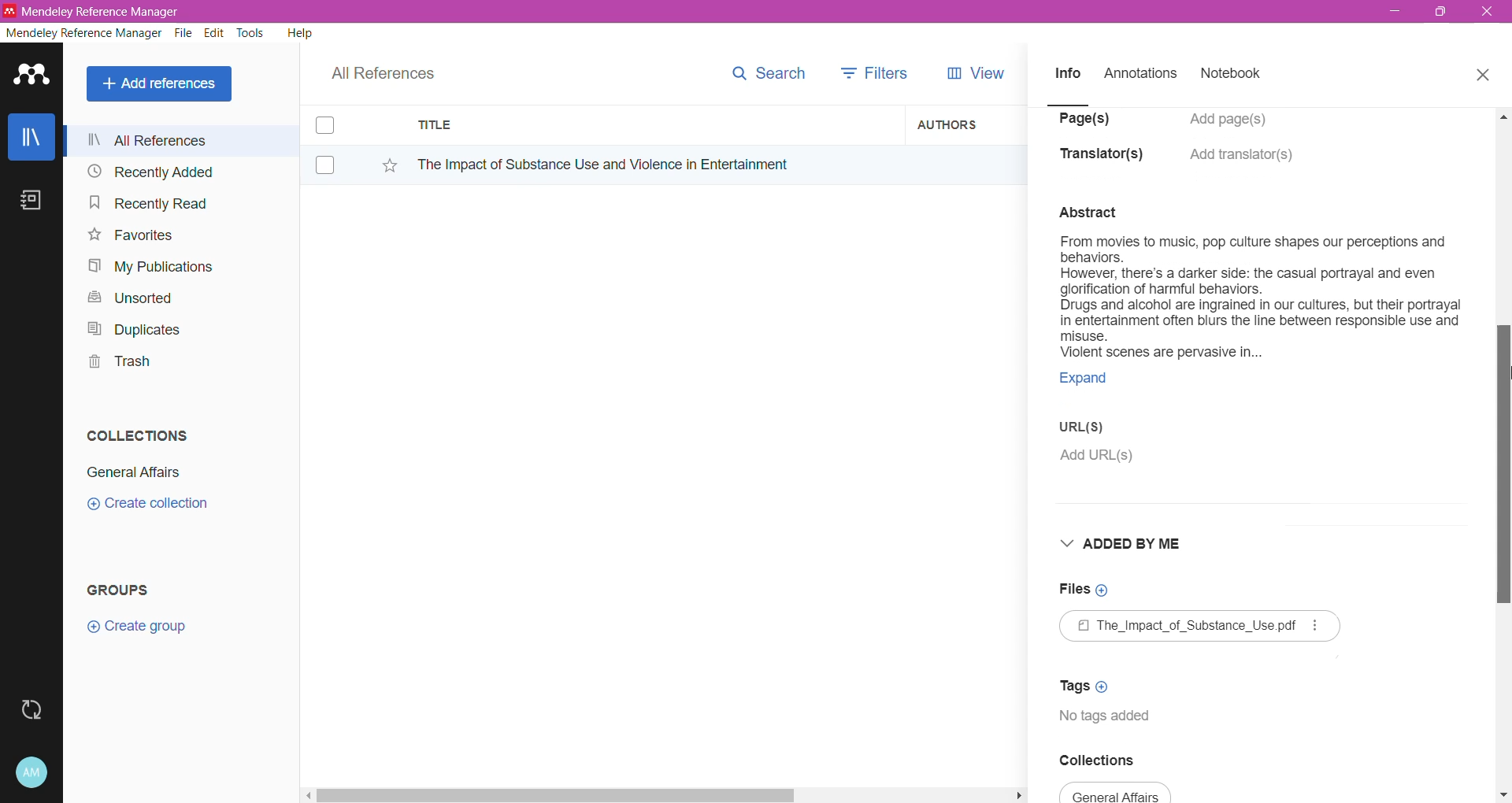 This screenshot has height=803, width=1512. What do you see at coordinates (1503, 408) in the screenshot?
I see `cursor` at bounding box center [1503, 408].